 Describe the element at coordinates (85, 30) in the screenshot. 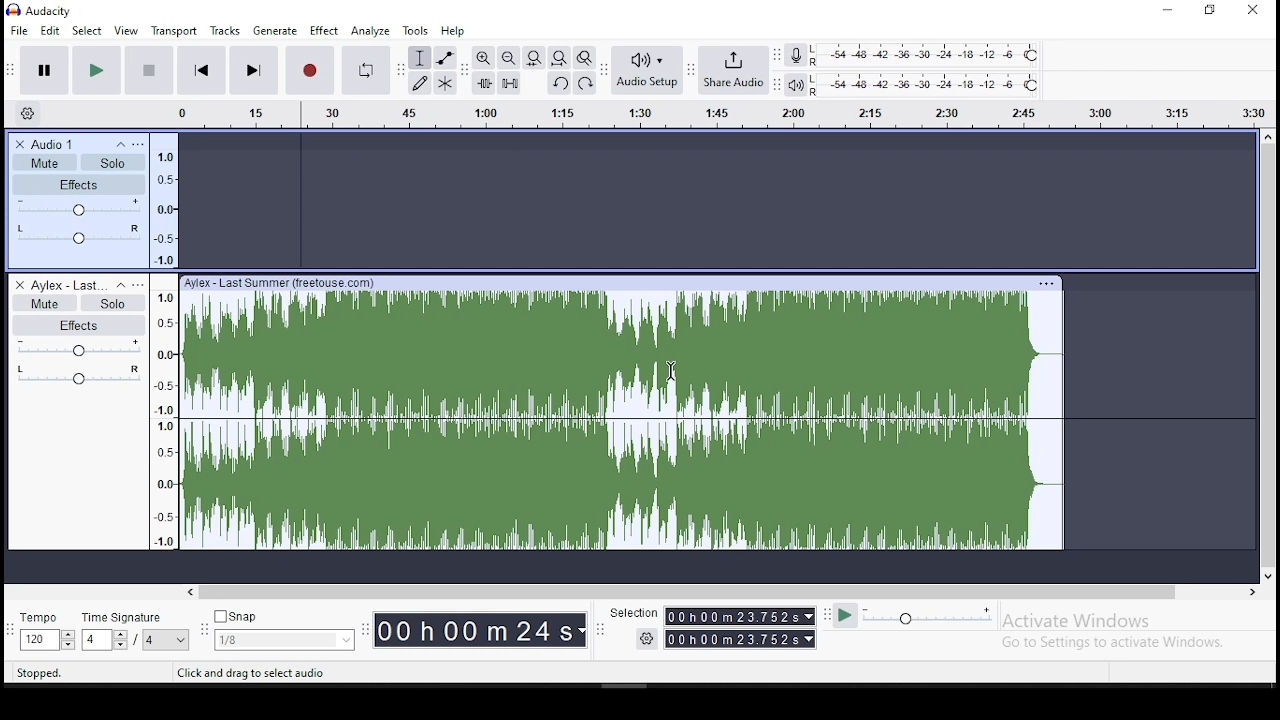

I see `select` at that location.